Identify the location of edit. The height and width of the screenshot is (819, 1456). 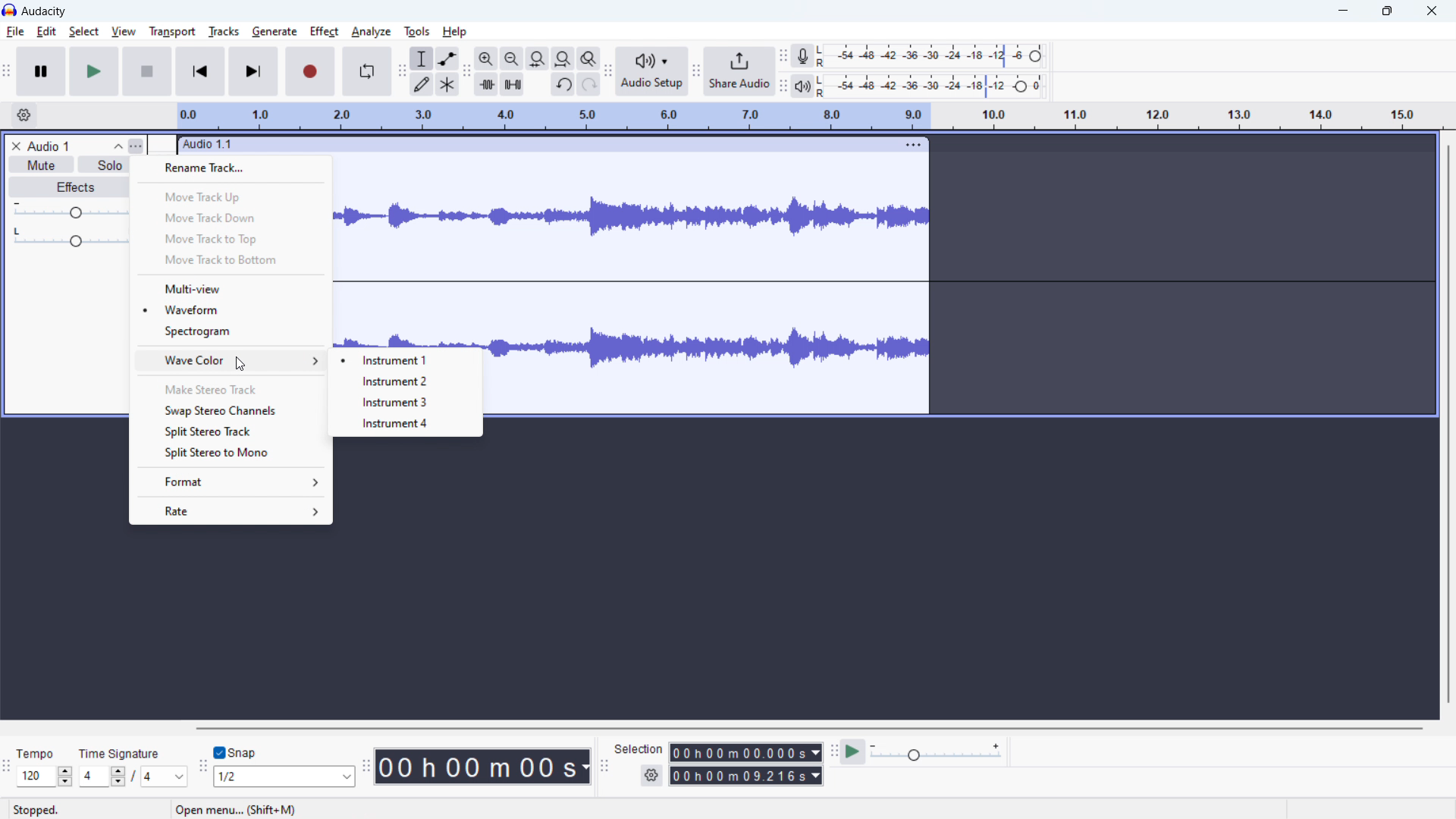
(47, 31).